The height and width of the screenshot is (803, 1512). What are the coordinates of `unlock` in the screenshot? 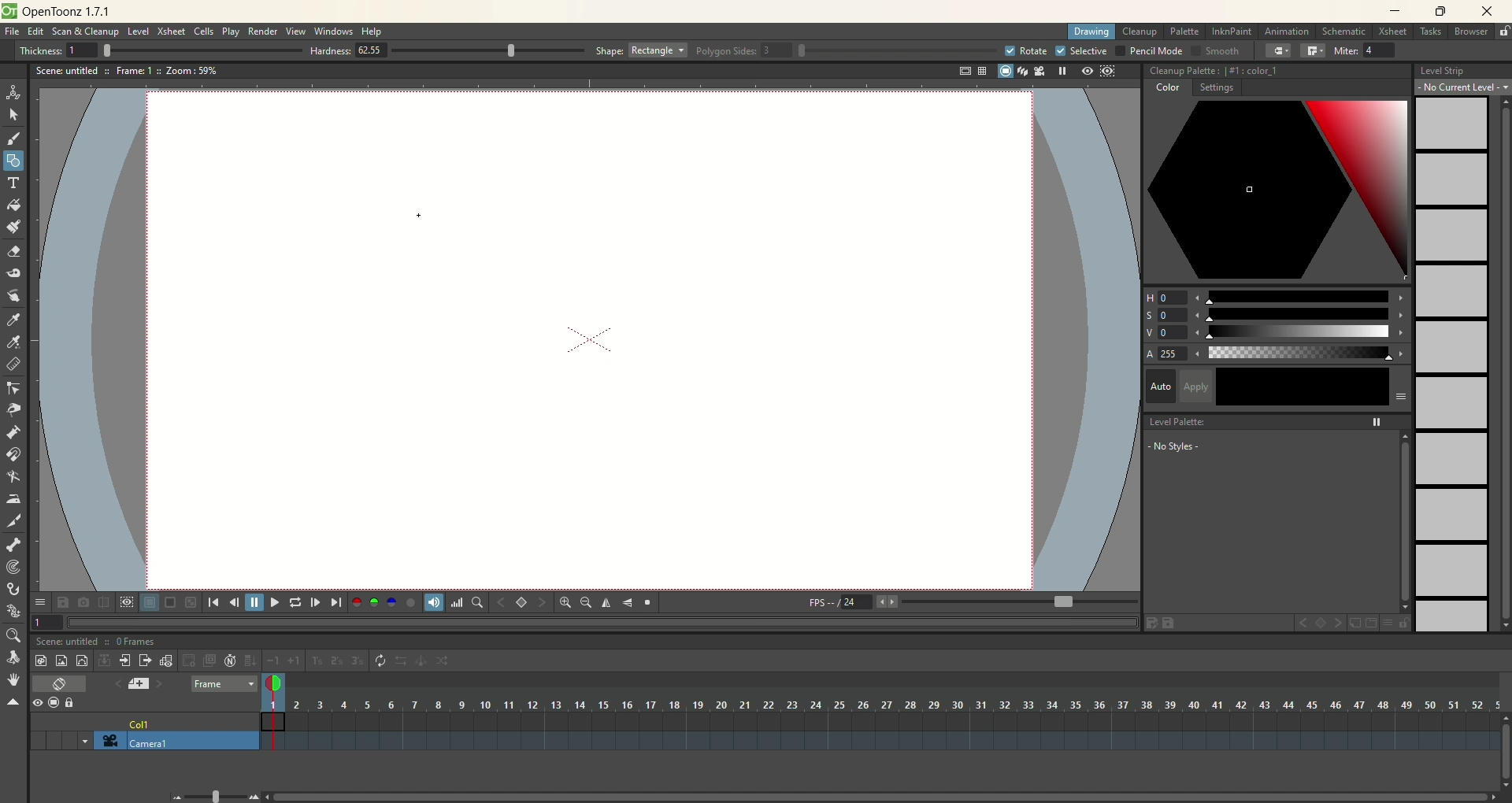 It's located at (1504, 32).